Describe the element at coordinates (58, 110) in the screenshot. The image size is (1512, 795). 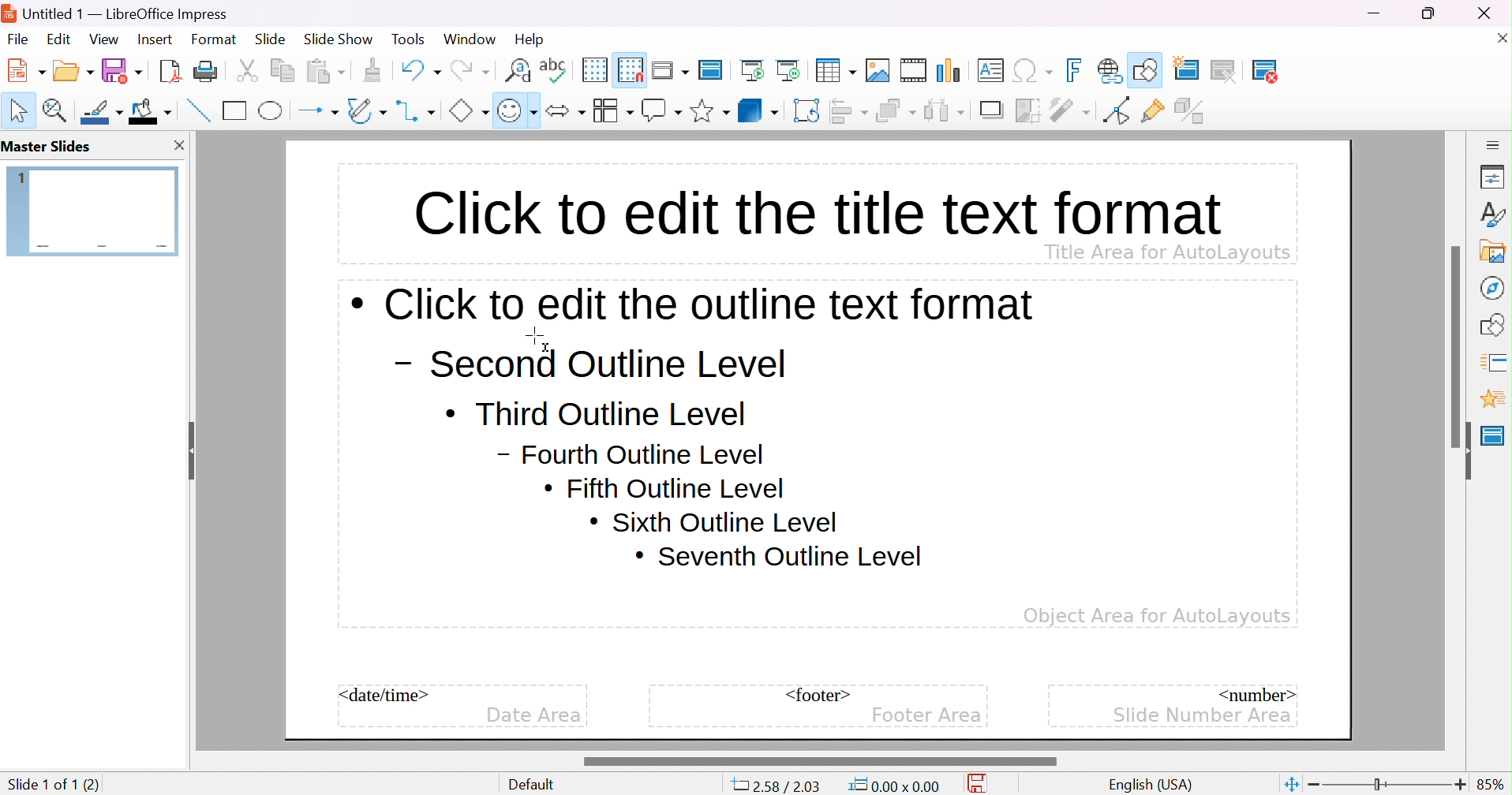
I see `zoom & pan` at that location.